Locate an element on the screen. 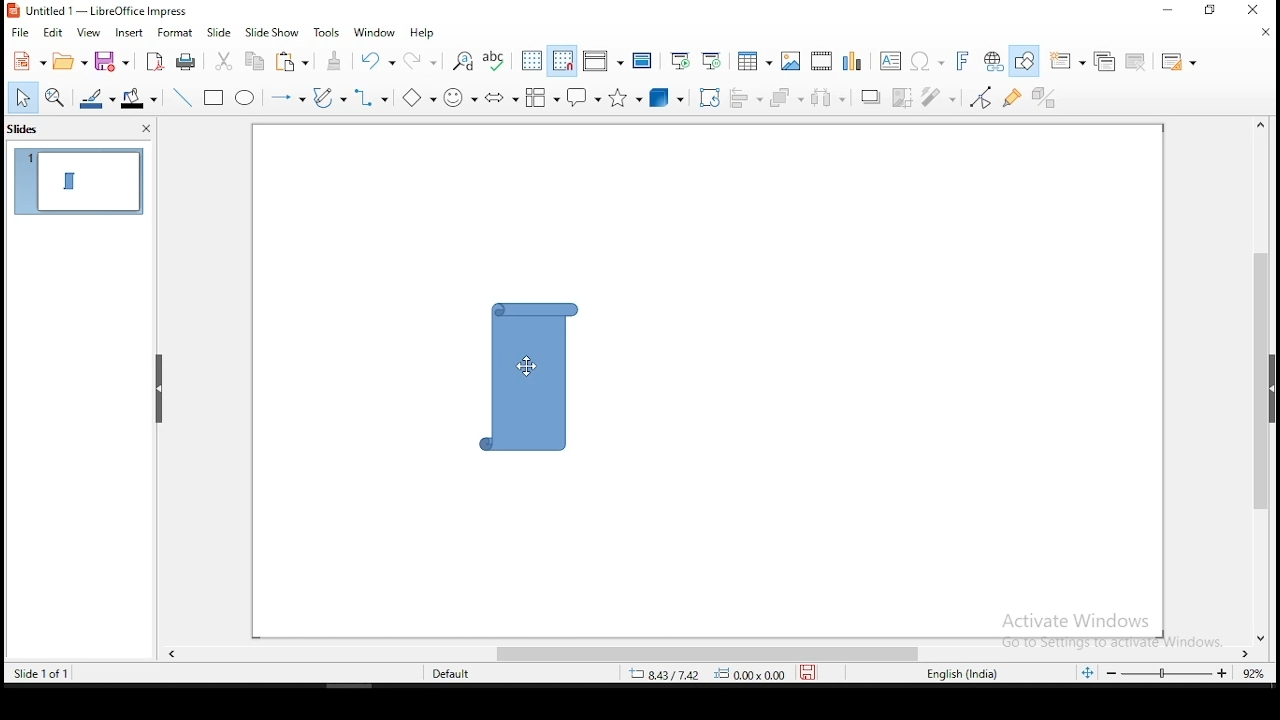 Image resolution: width=1280 pixels, height=720 pixels. undo is located at coordinates (375, 62).